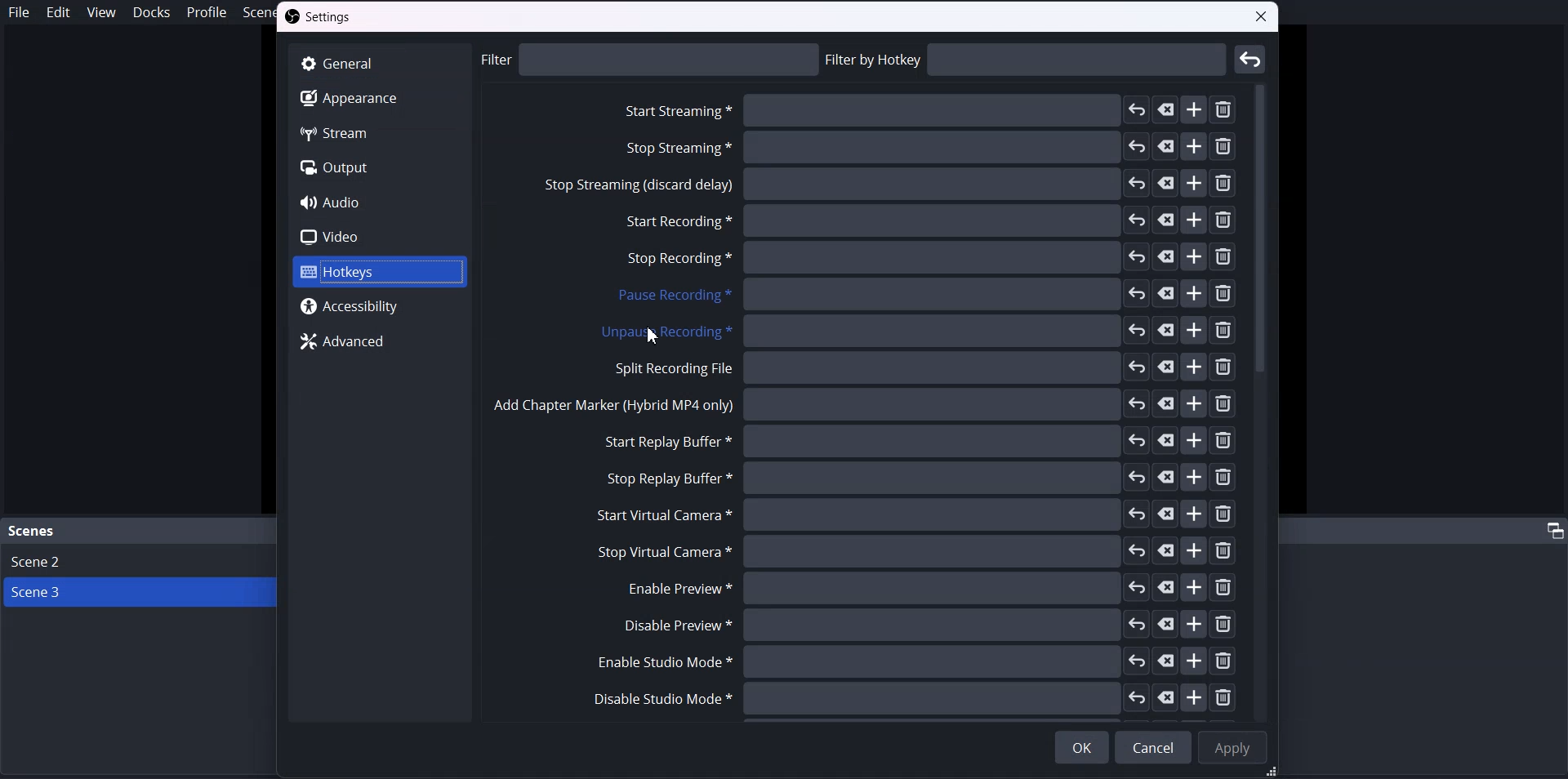 The height and width of the screenshot is (779, 1568). Describe the element at coordinates (381, 306) in the screenshot. I see `Accessibility` at that location.